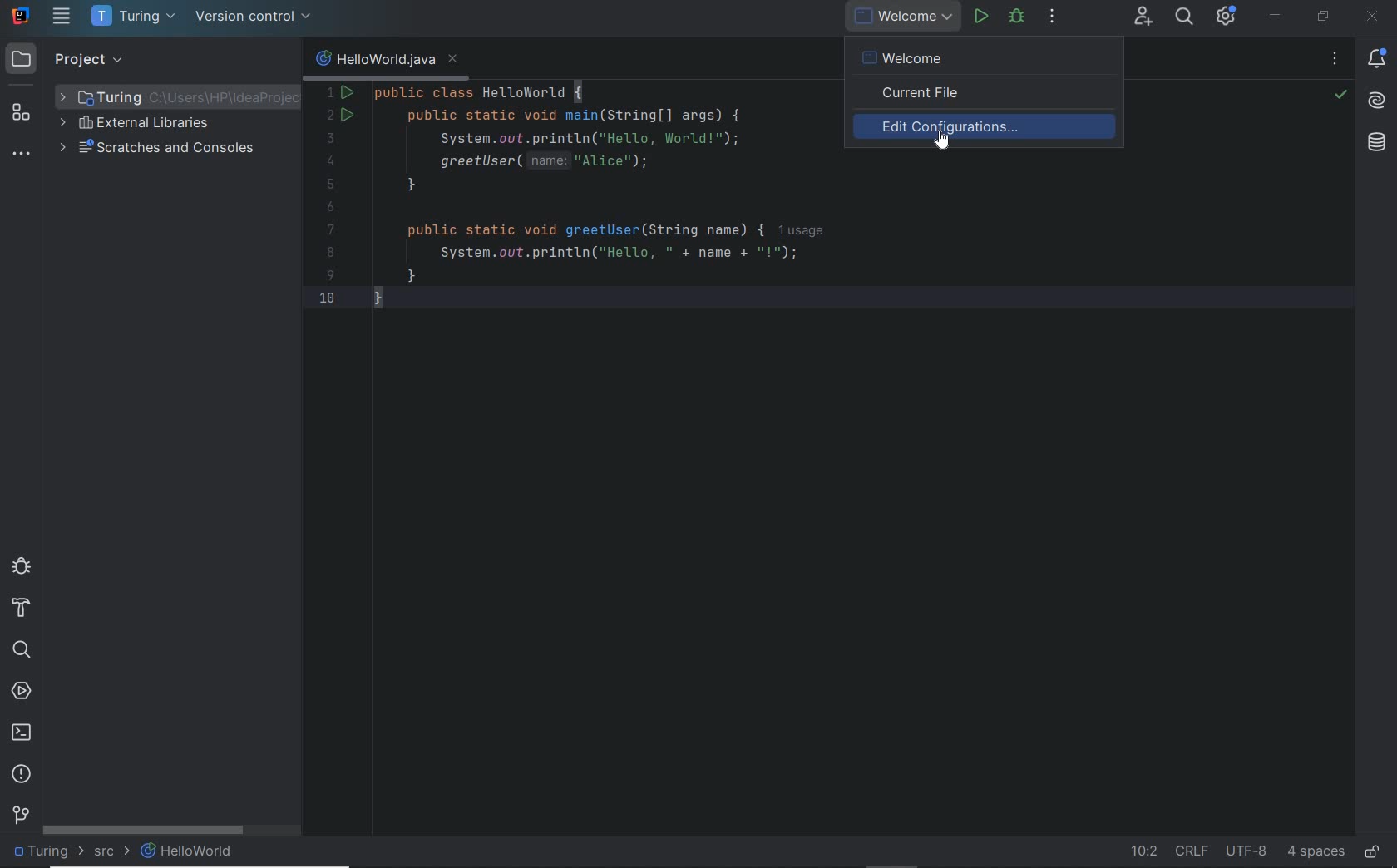 Image resolution: width=1397 pixels, height=868 pixels. I want to click on code with me, so click(1144, 18).